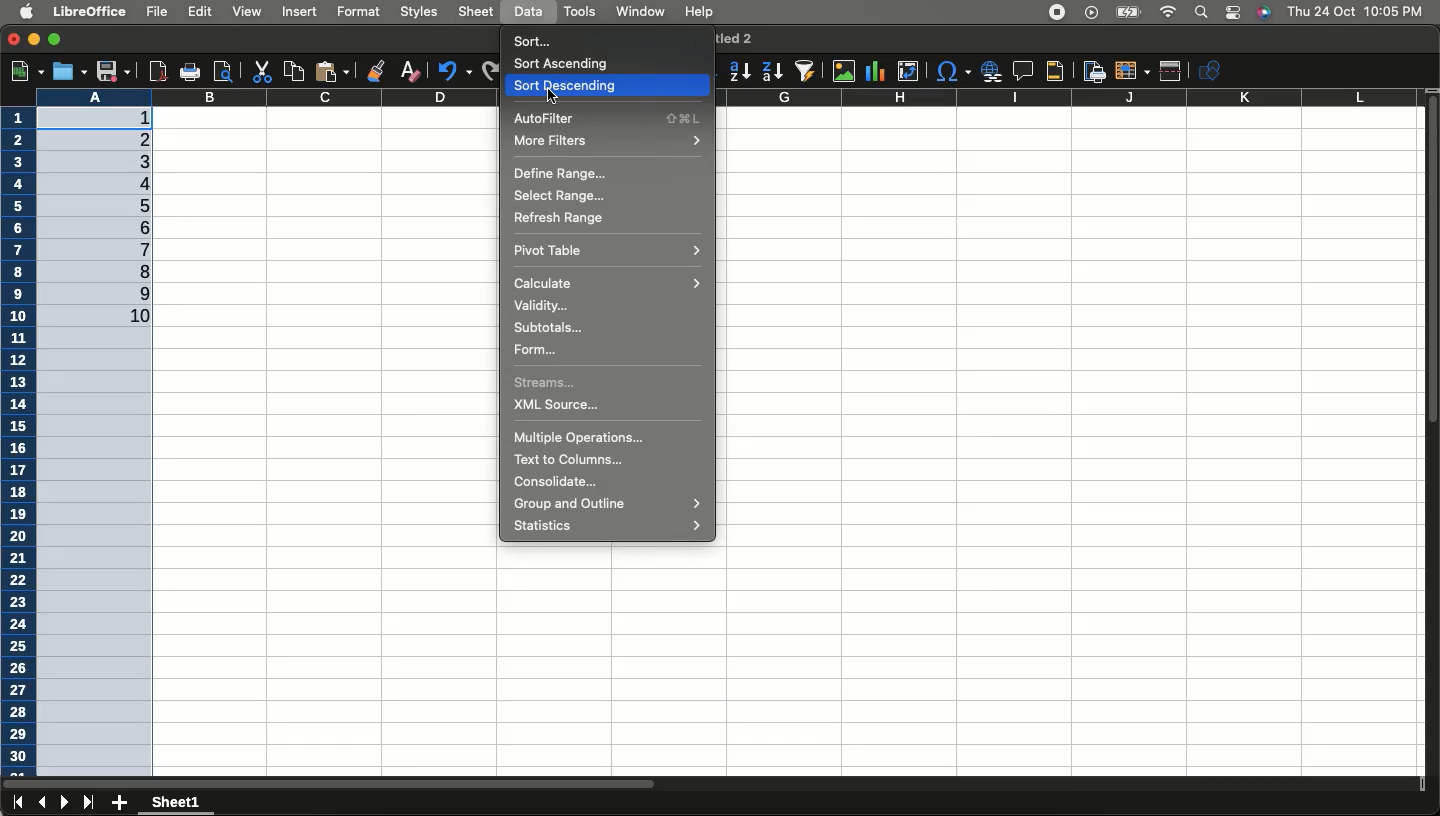 The image size is (1440, 816). What do you see at coordinates (1263, 13) in the screenshot?
I see `Voice control` at bounding box center [1263, 13].